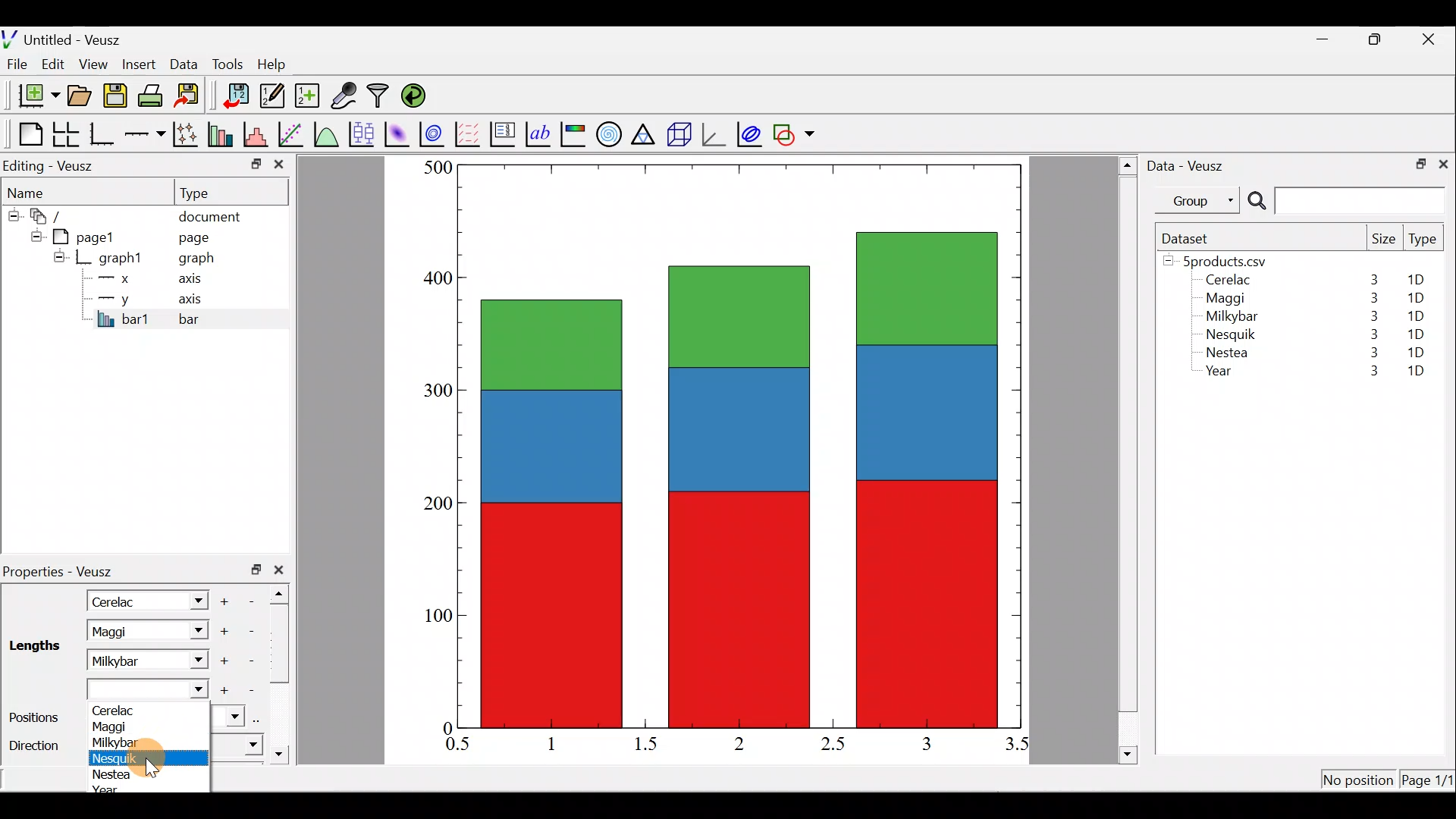 The image size is (1456, 819). What do you see at coordinates (1366, 372) in the screenshot?
I see `3` at bounding box center [1366, 372].